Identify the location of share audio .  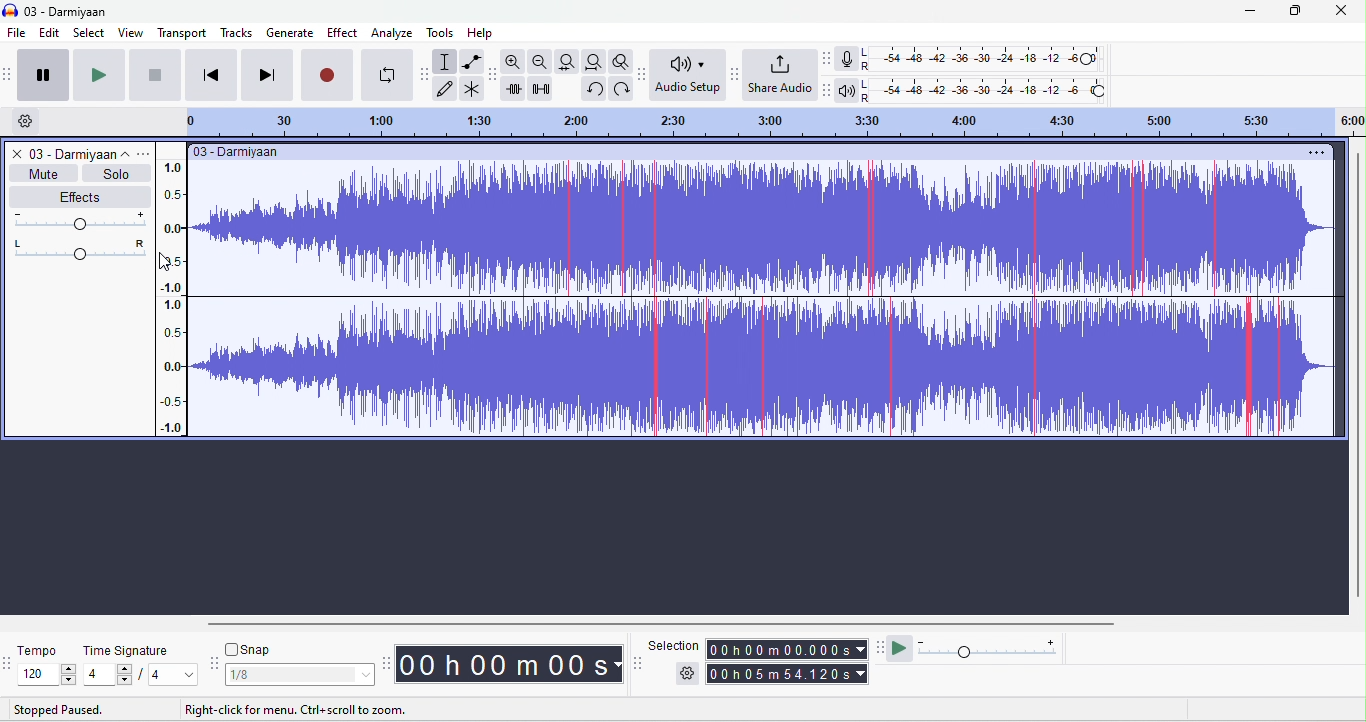
(782, 73).